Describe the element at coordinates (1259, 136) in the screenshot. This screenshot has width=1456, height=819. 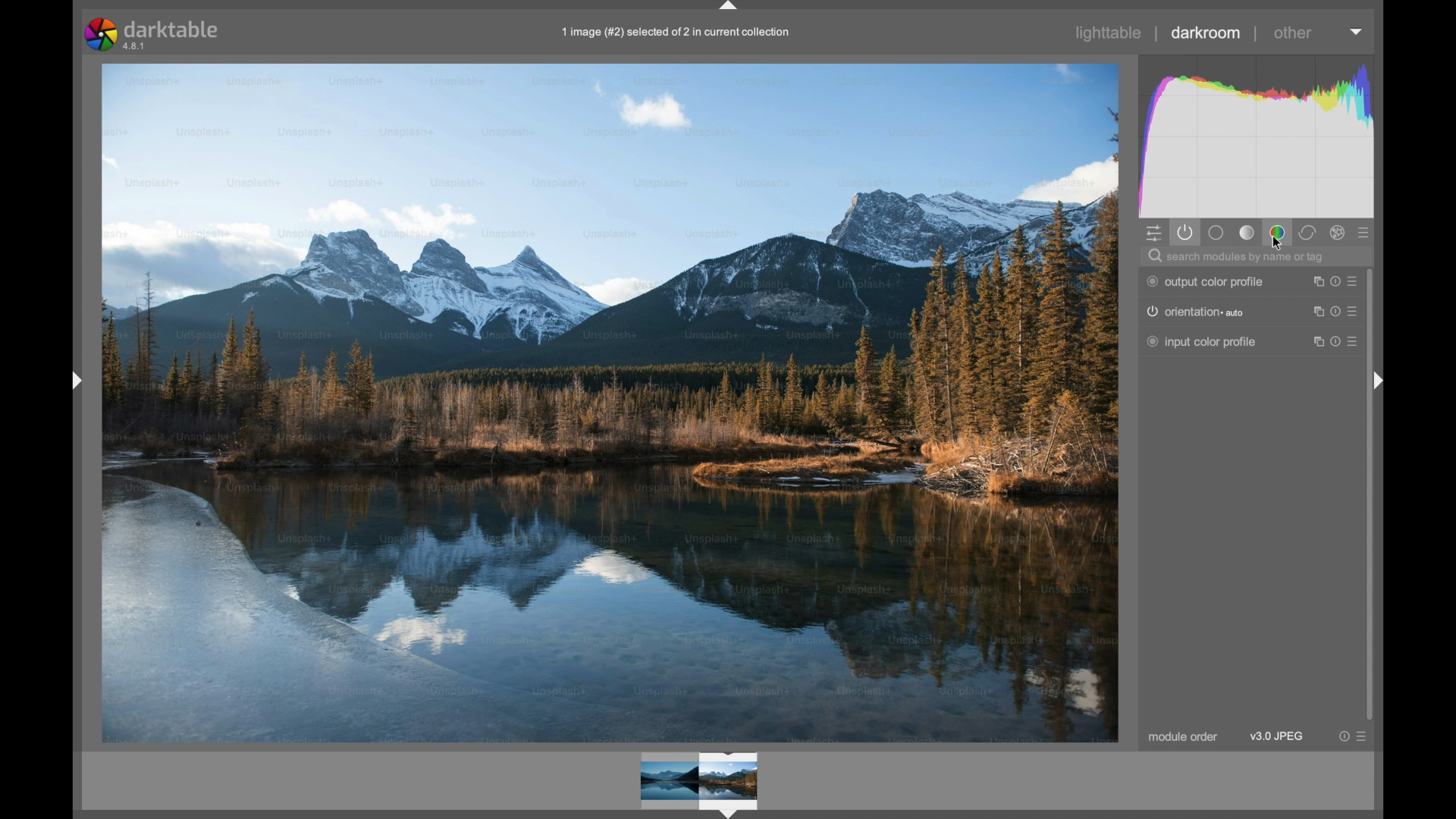
I see `histogram` at that location.